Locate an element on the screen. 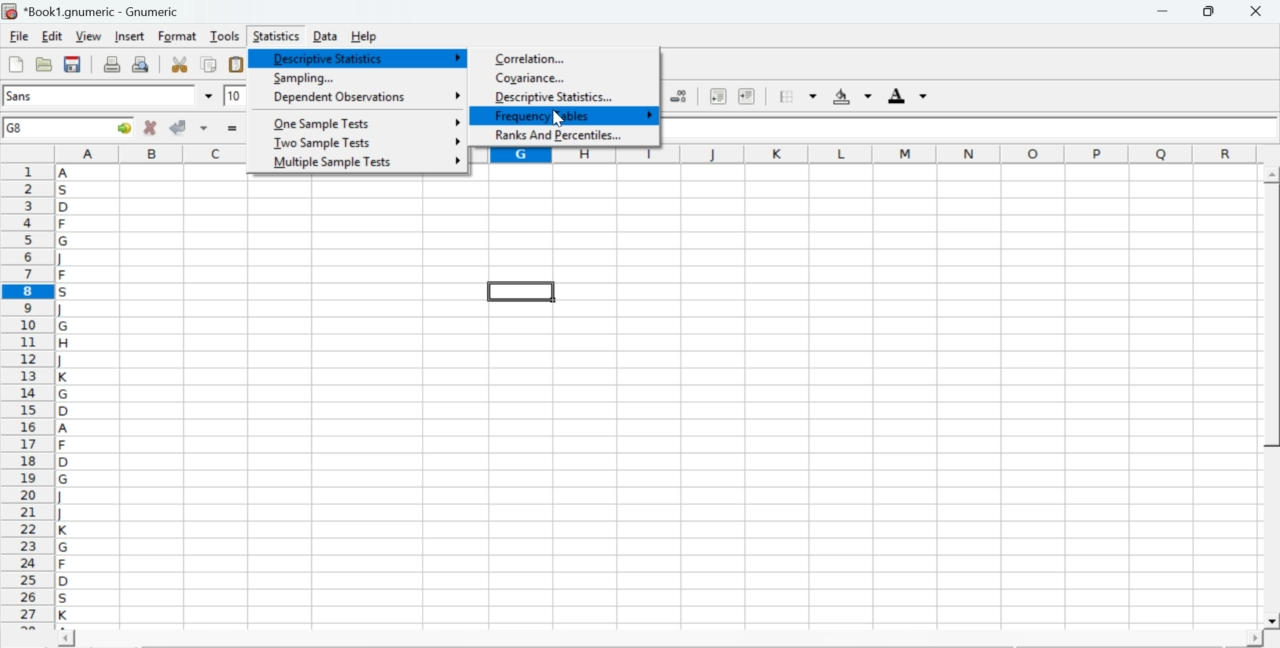 The width and height of the screenshot is (1280, 648). help is located at coordinates (366, 37).